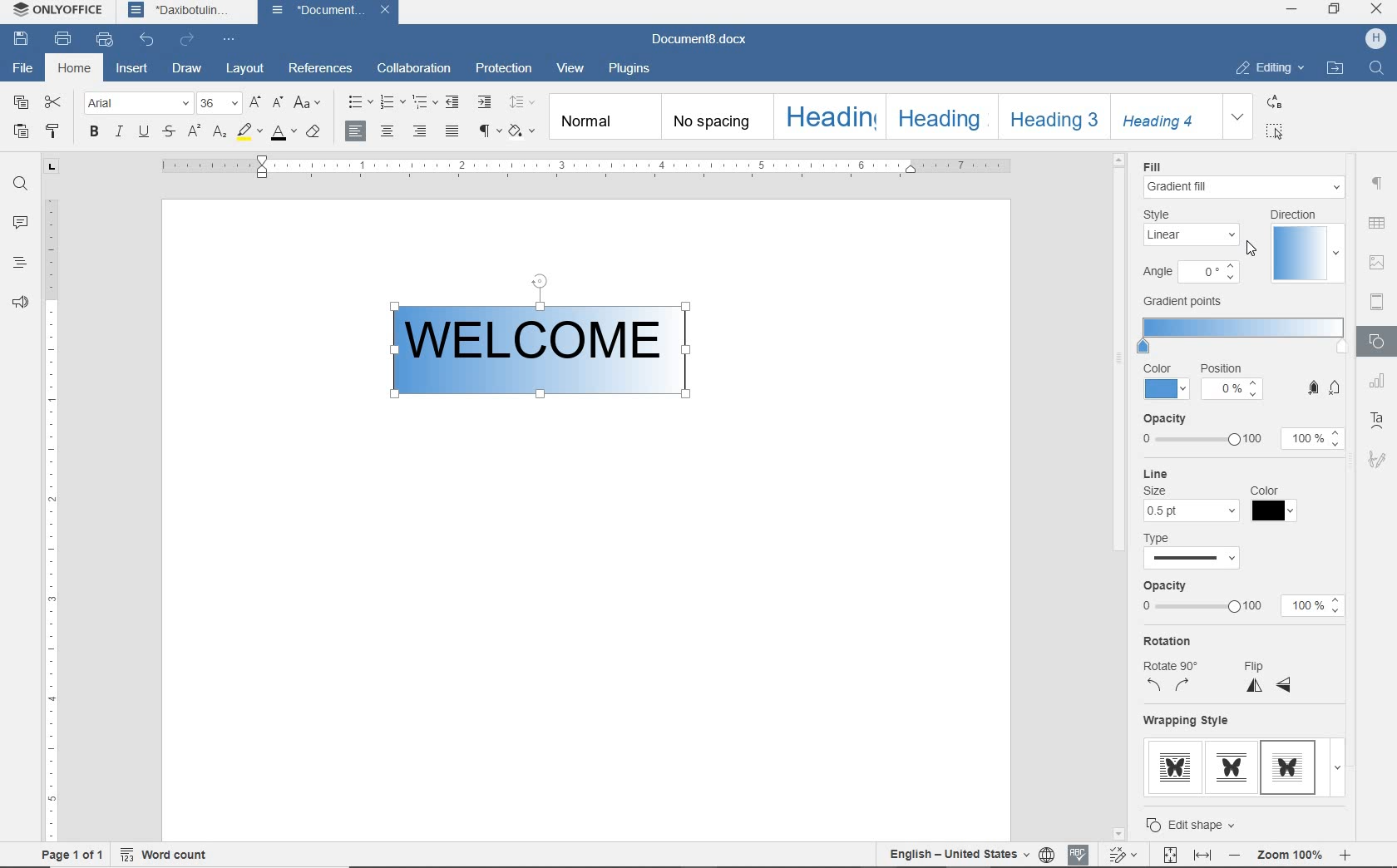 The image size is (1397, 868). Describe the element at coordinates (220, 131) in the screenshot. I see `SUBSCRIPT` at that location.